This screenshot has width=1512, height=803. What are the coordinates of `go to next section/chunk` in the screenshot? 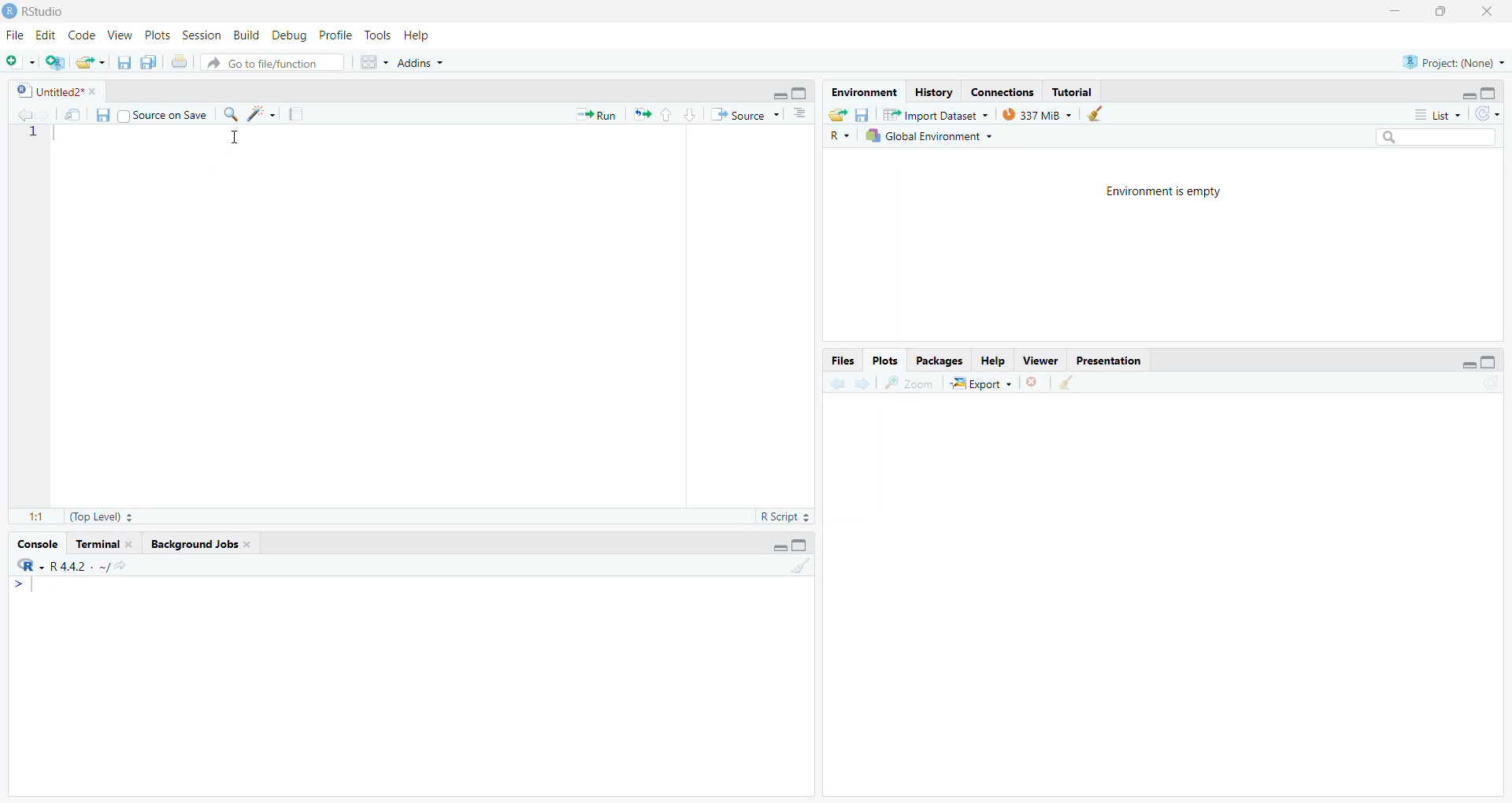 It's located at (692, 115).